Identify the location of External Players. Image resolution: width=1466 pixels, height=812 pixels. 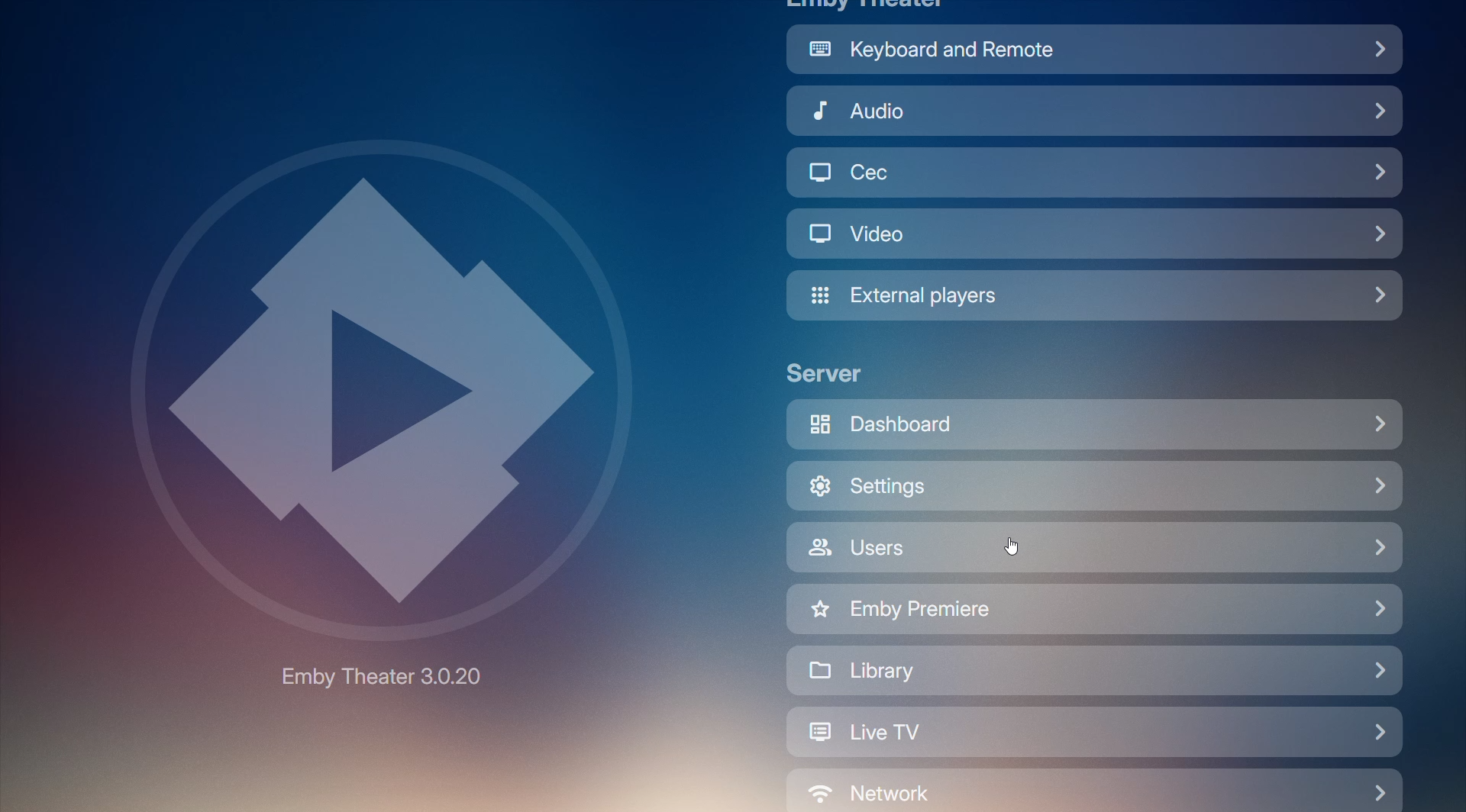
(1097, 294).